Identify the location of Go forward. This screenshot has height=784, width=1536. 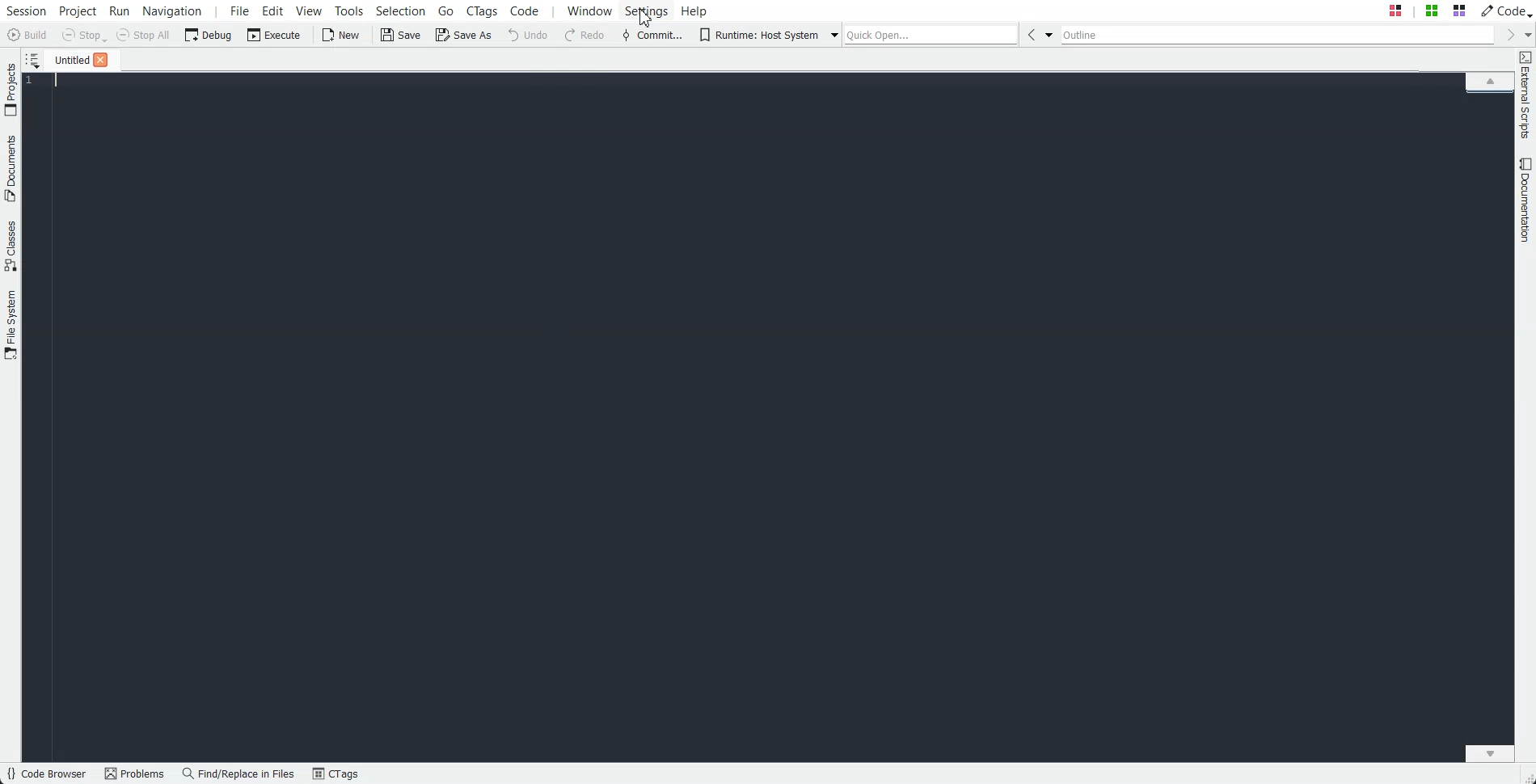
(1508, 35).